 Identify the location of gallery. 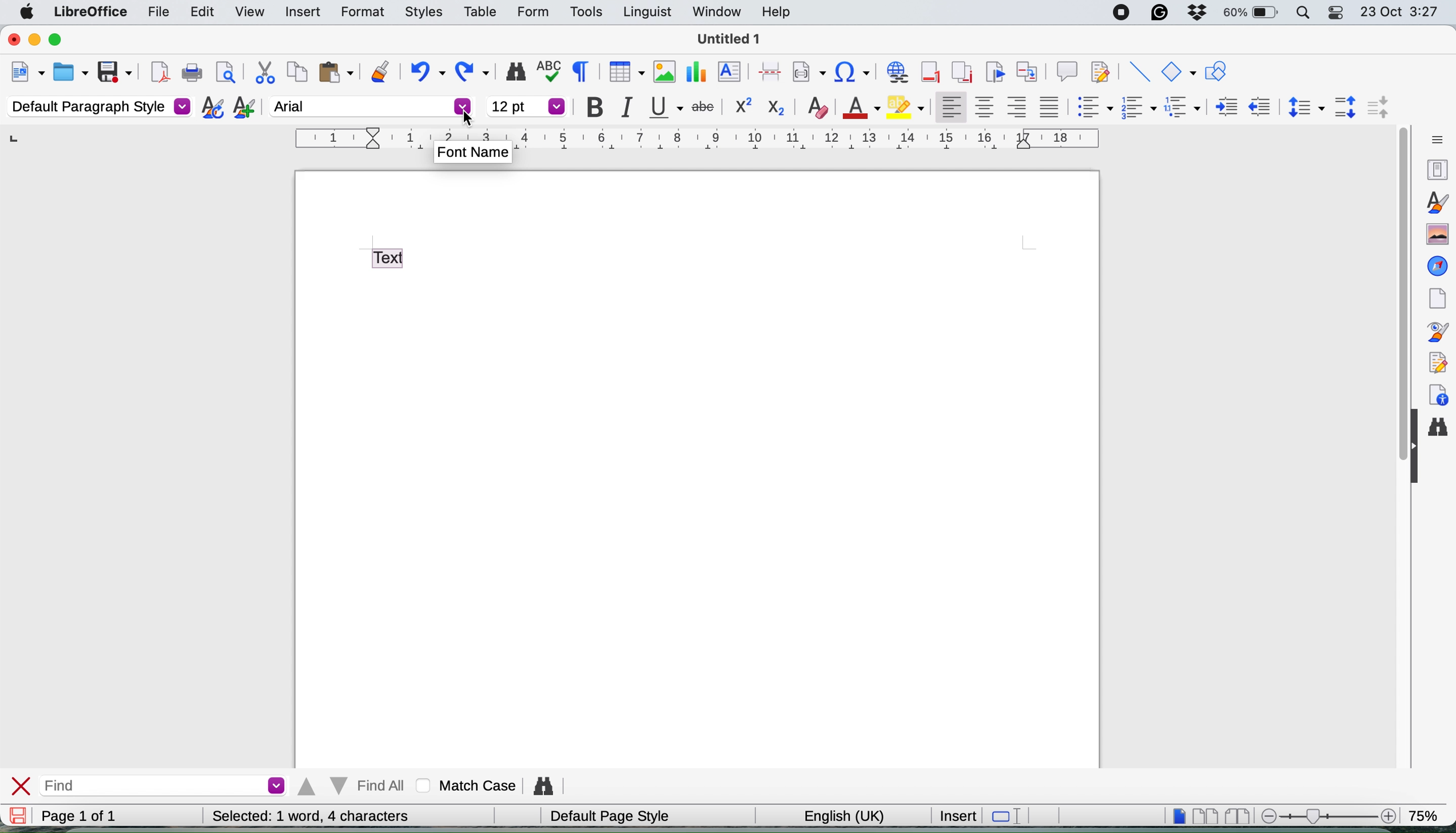
(1435, 234).